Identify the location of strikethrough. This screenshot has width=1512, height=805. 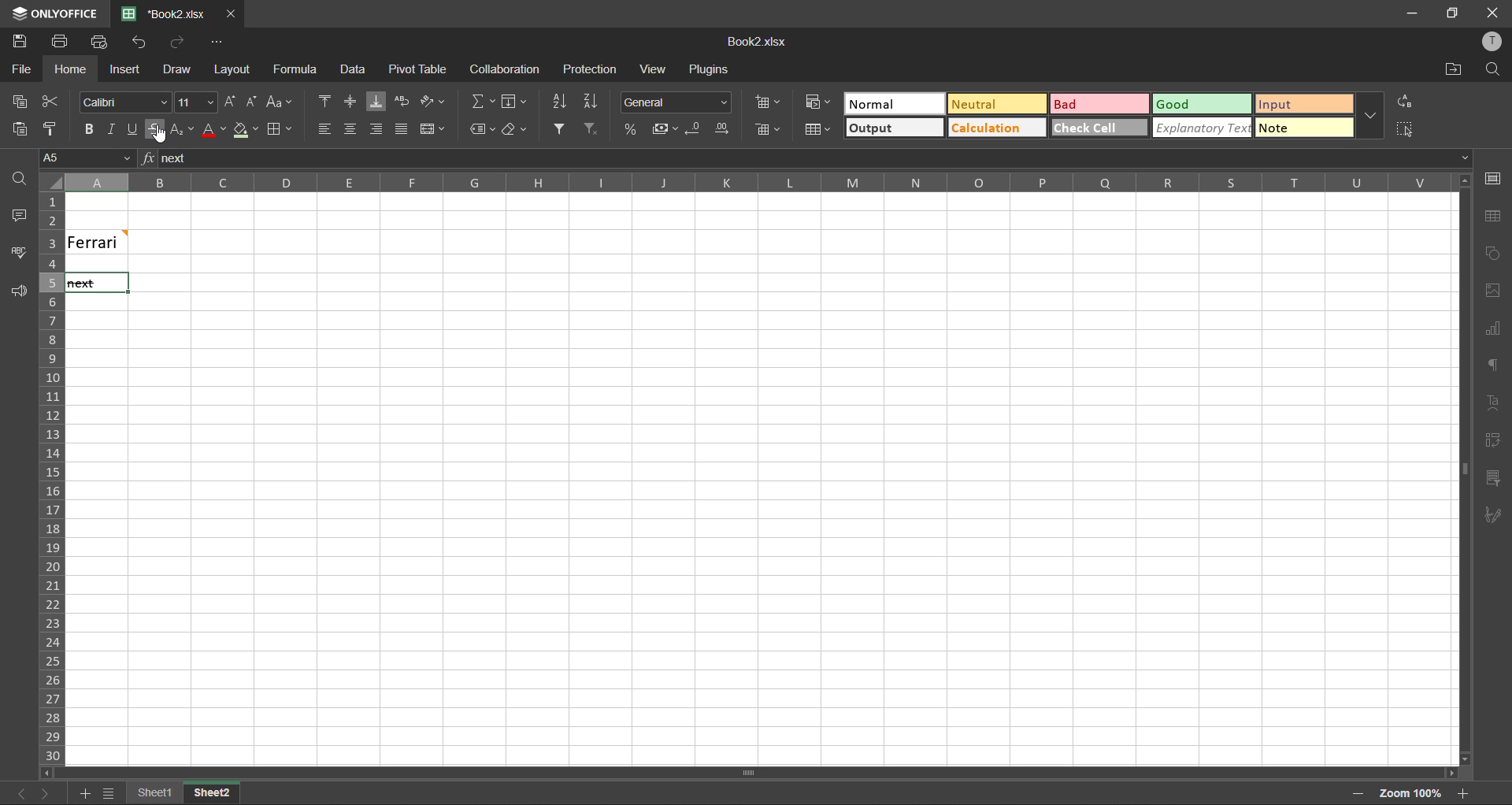
(156, 129).